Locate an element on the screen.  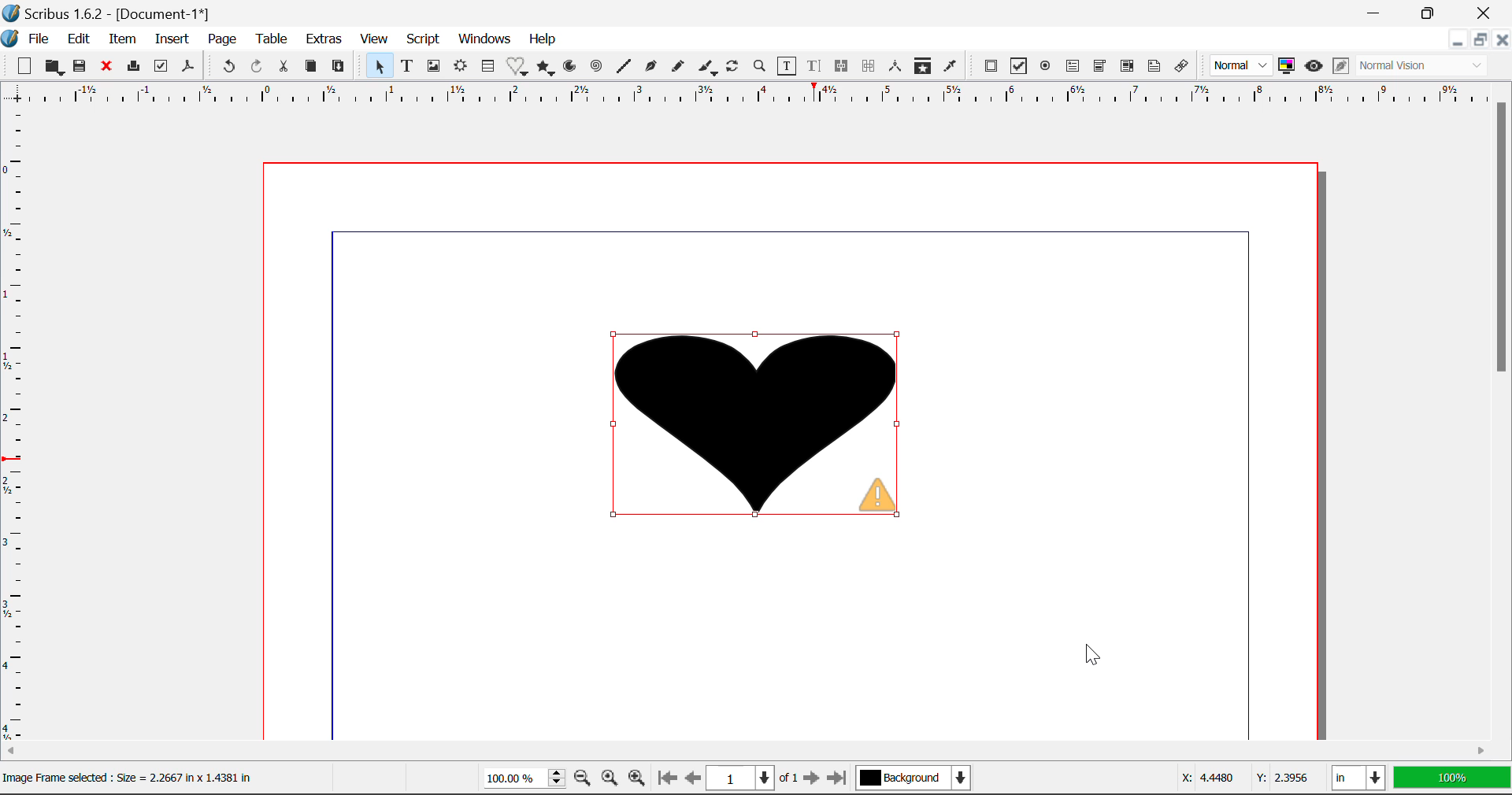
Minimize is located at coordinates (1436, 13).